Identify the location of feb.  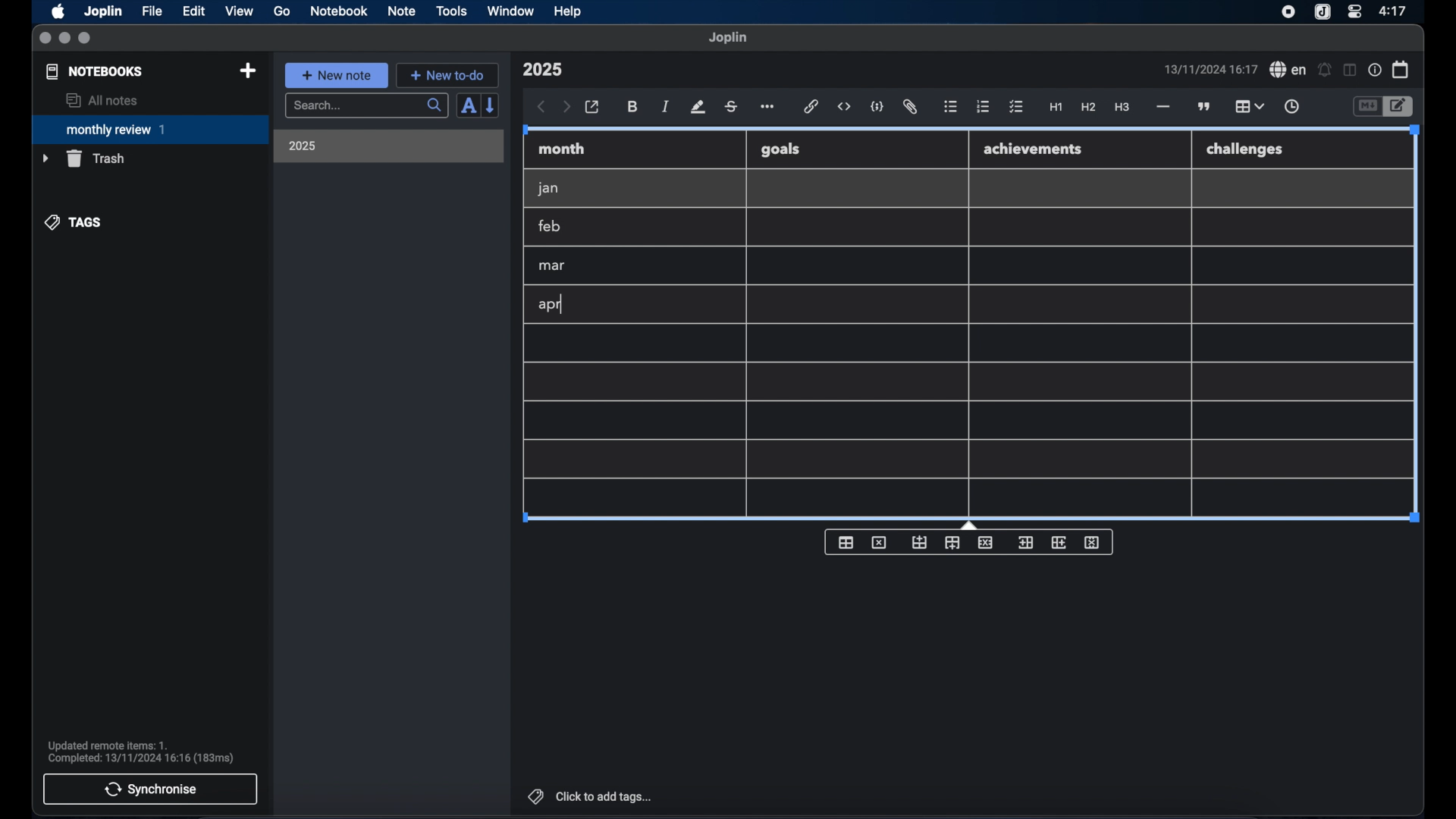
(551, 226).